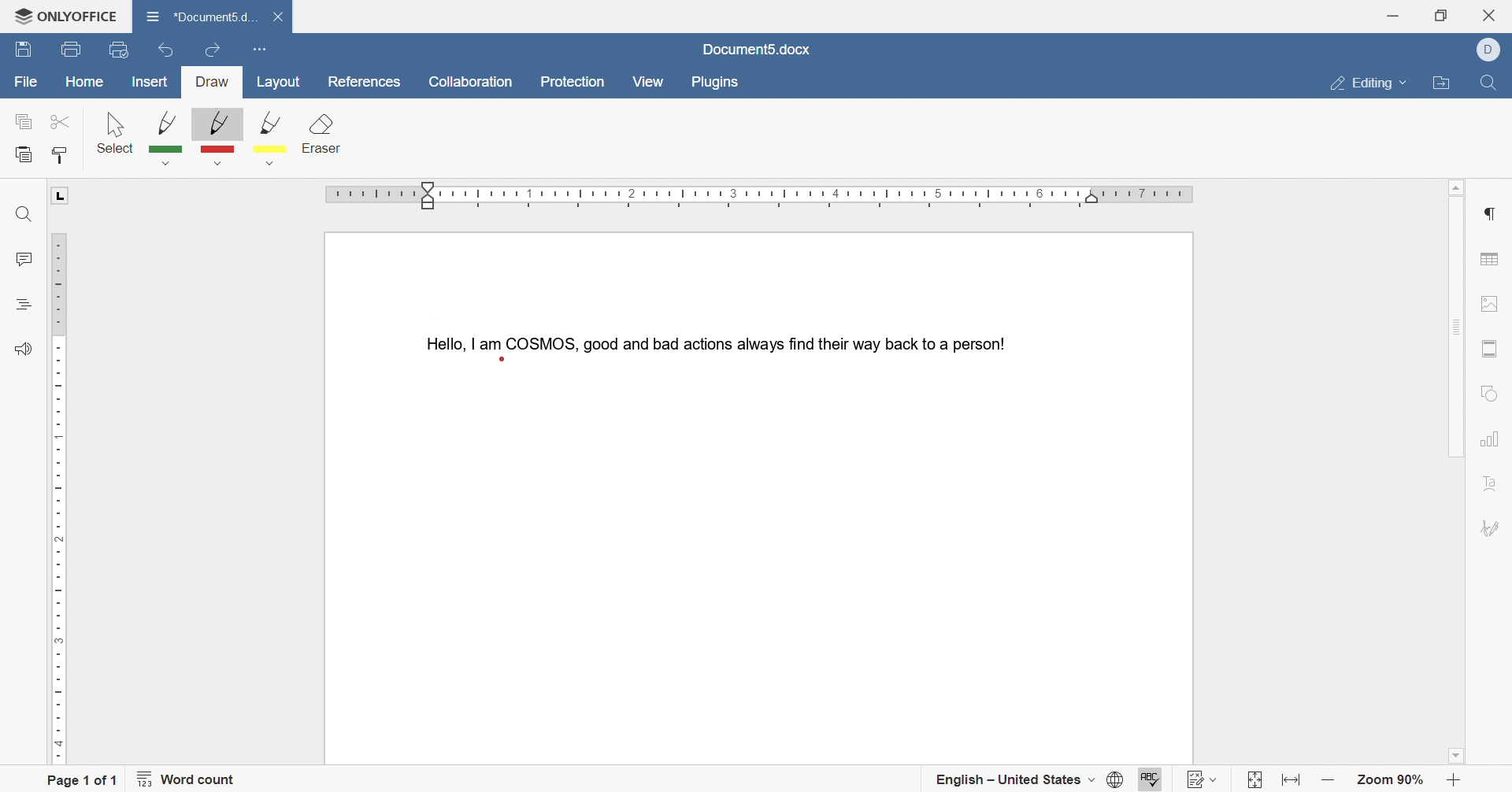 The height and width of the screenshot is (792, 1512). I want to click on comments, so click(22, 260).